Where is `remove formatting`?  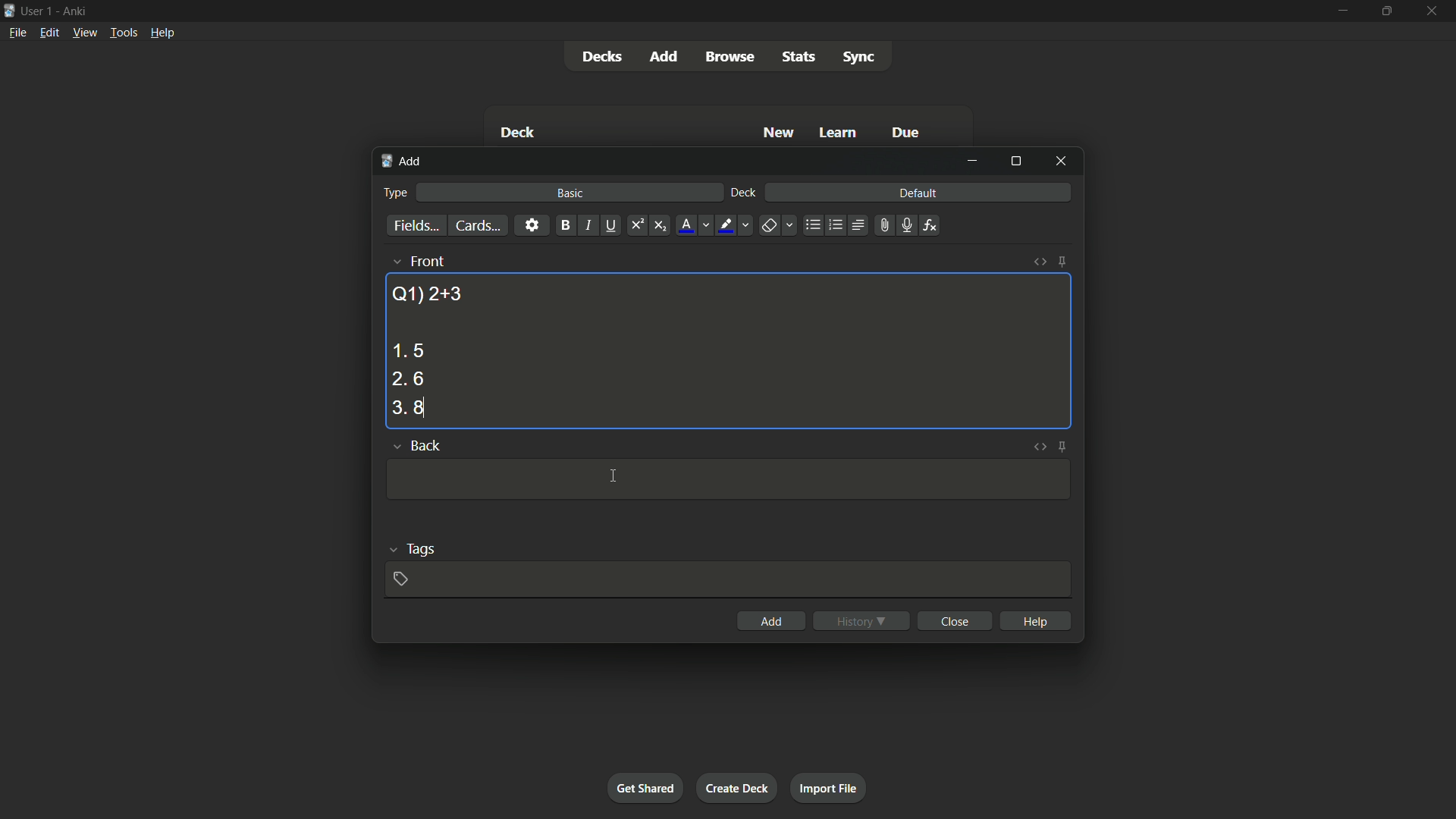 remove formatting is located at coordinates (769, 227).